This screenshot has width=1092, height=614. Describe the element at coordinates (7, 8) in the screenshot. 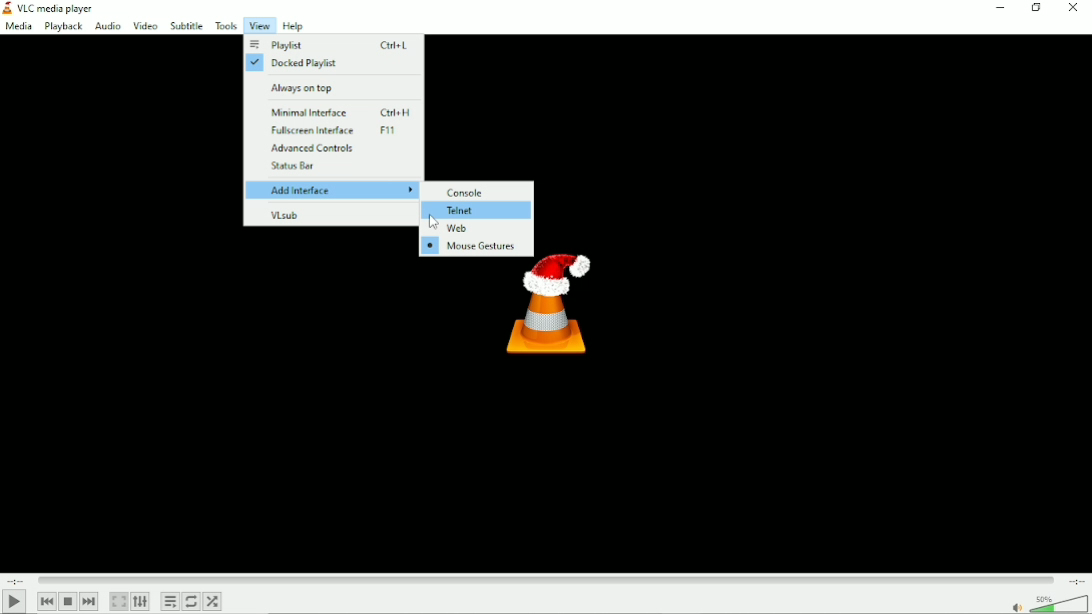

I see `vlc logo` at that location.